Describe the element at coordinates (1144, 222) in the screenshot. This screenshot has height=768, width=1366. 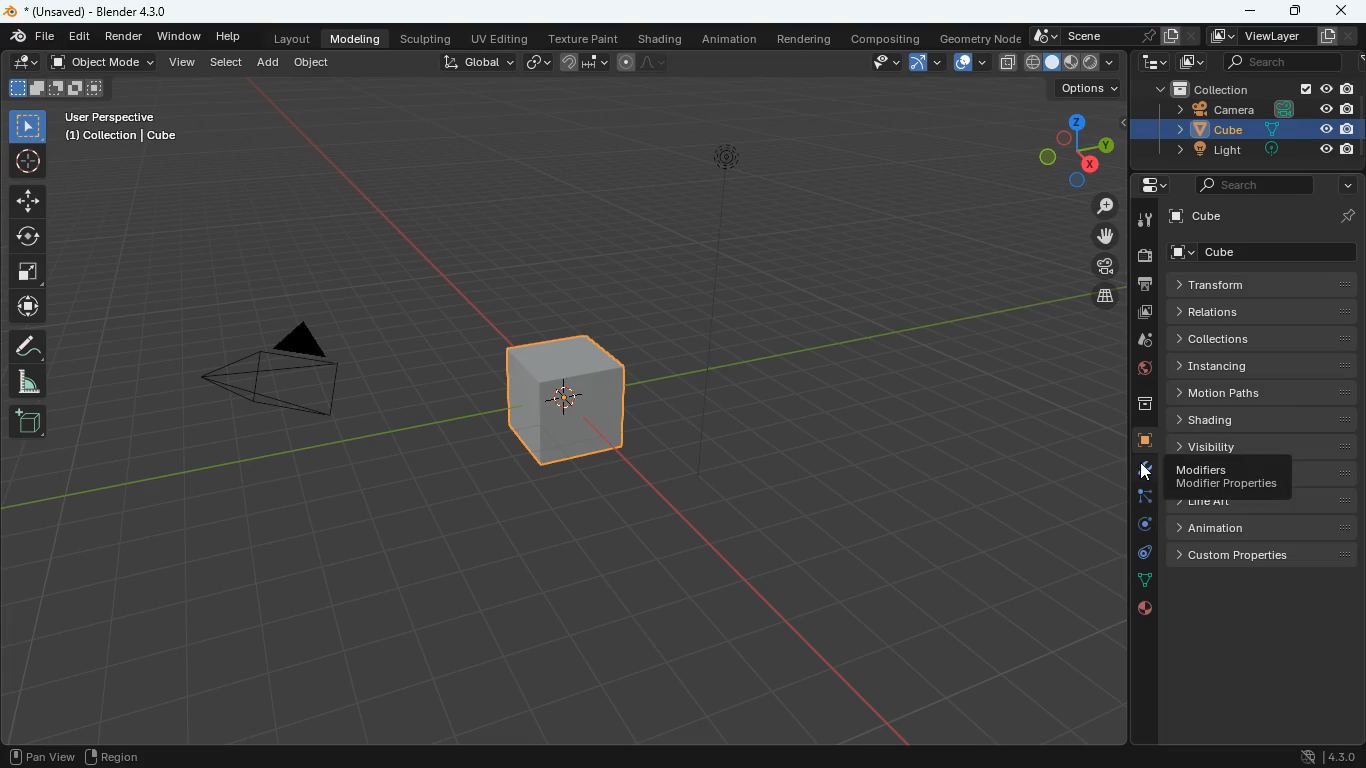
I see `tools` at that location.